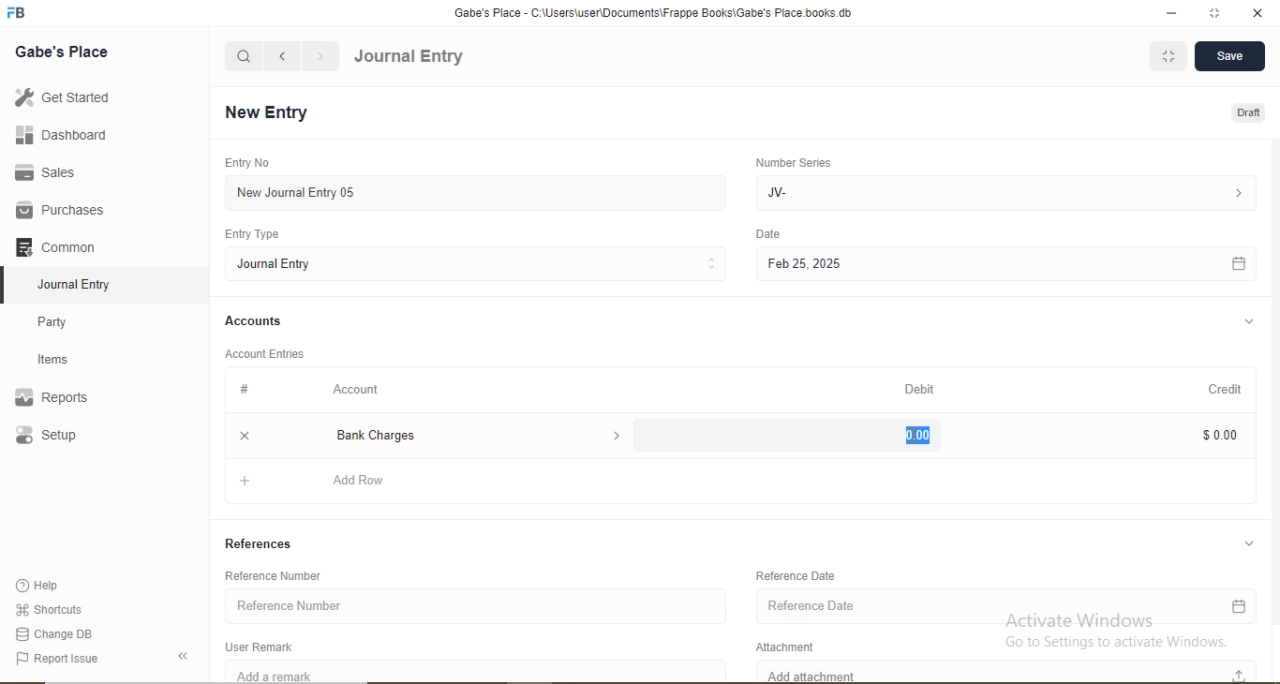 The width and height of the screenshot is (1280, 684). Describe the element at coordinates (1003, 191) in the screenshot. I see `JV-` at that location.